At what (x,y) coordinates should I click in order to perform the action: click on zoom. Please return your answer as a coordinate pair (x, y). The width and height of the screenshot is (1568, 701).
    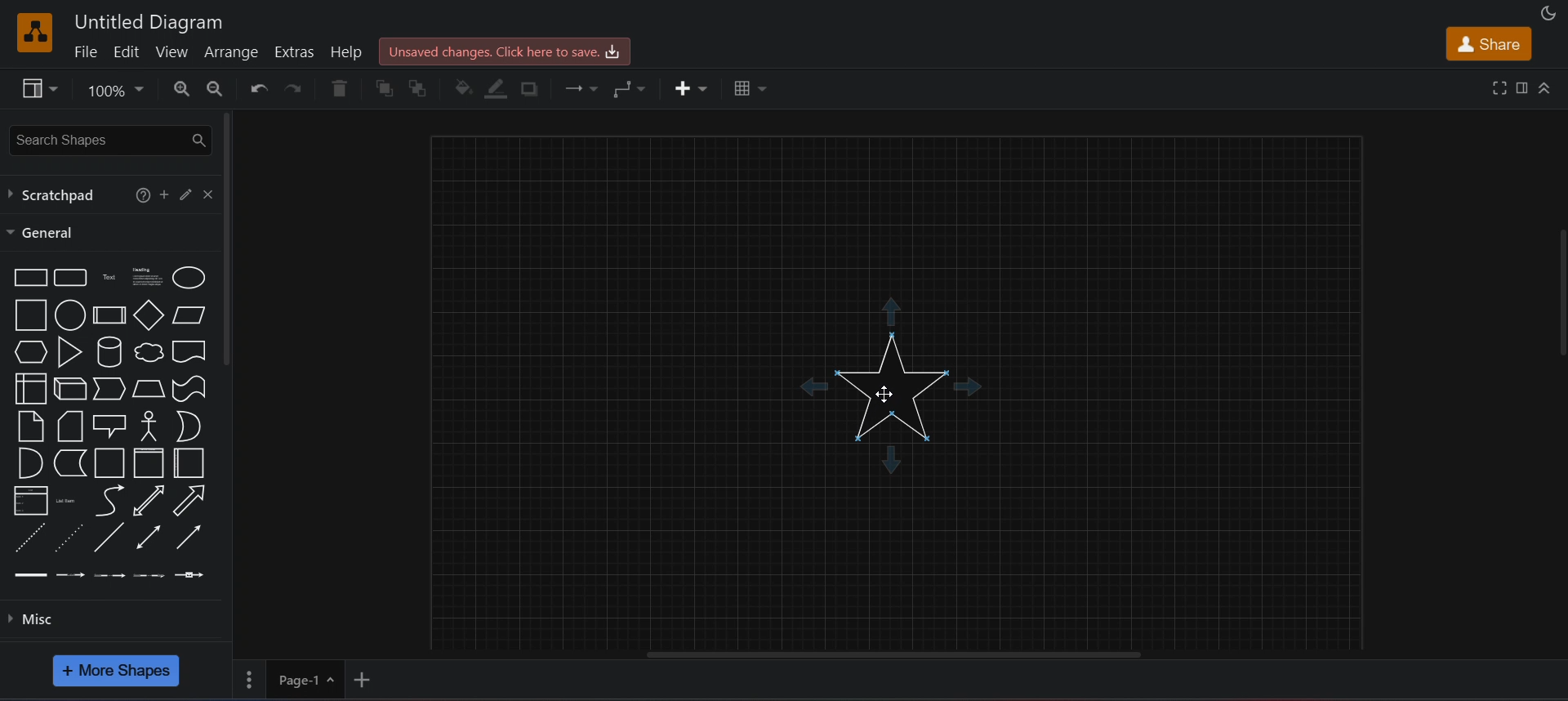
    Looking at the image, I should click on (114, 90).